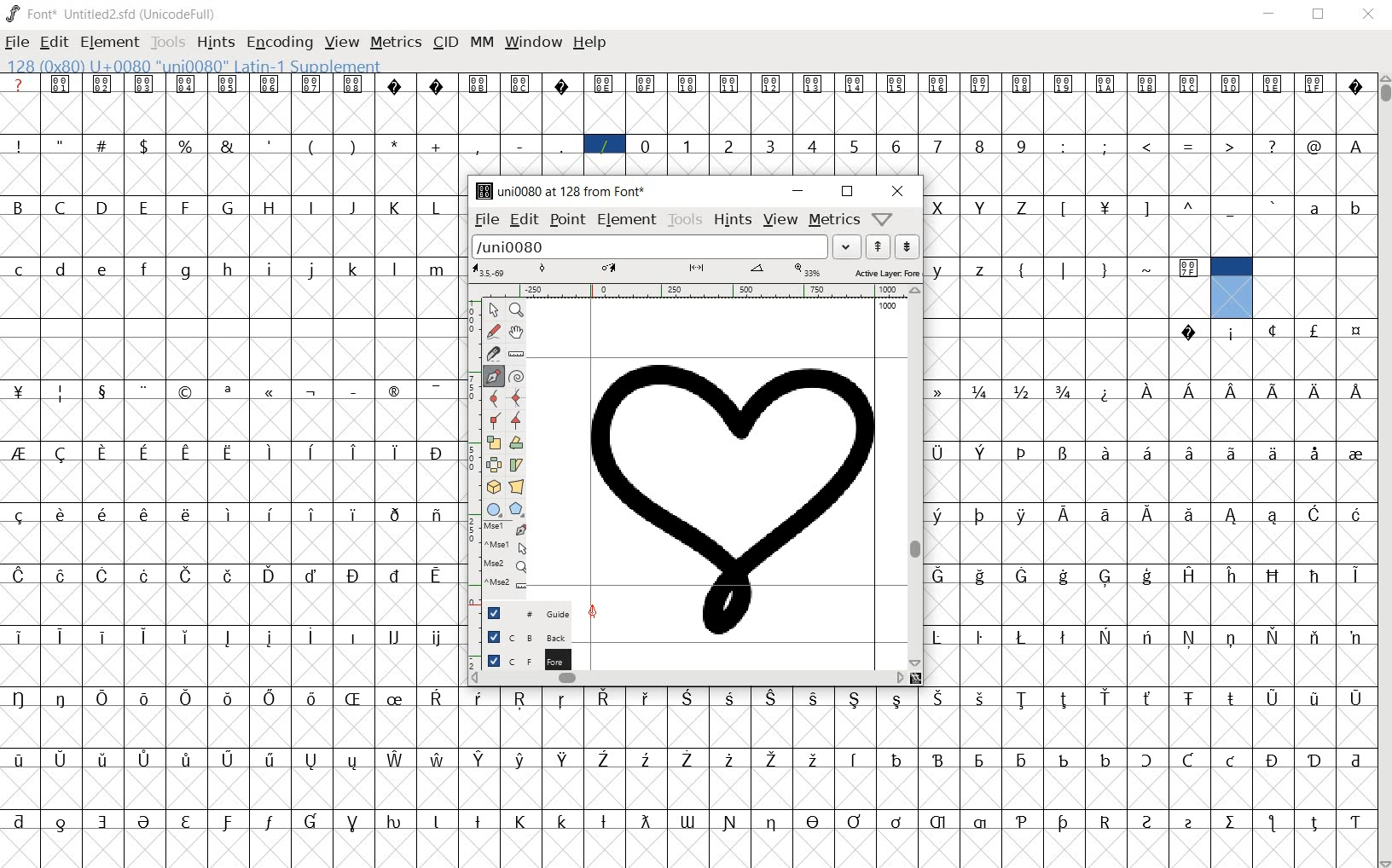 Image resolution: width=1392 pixels, height=868 pixels. What do you see at coordinates (731, 698) in the screenshot?
I see `glyph` at bounding box center [731, 698].